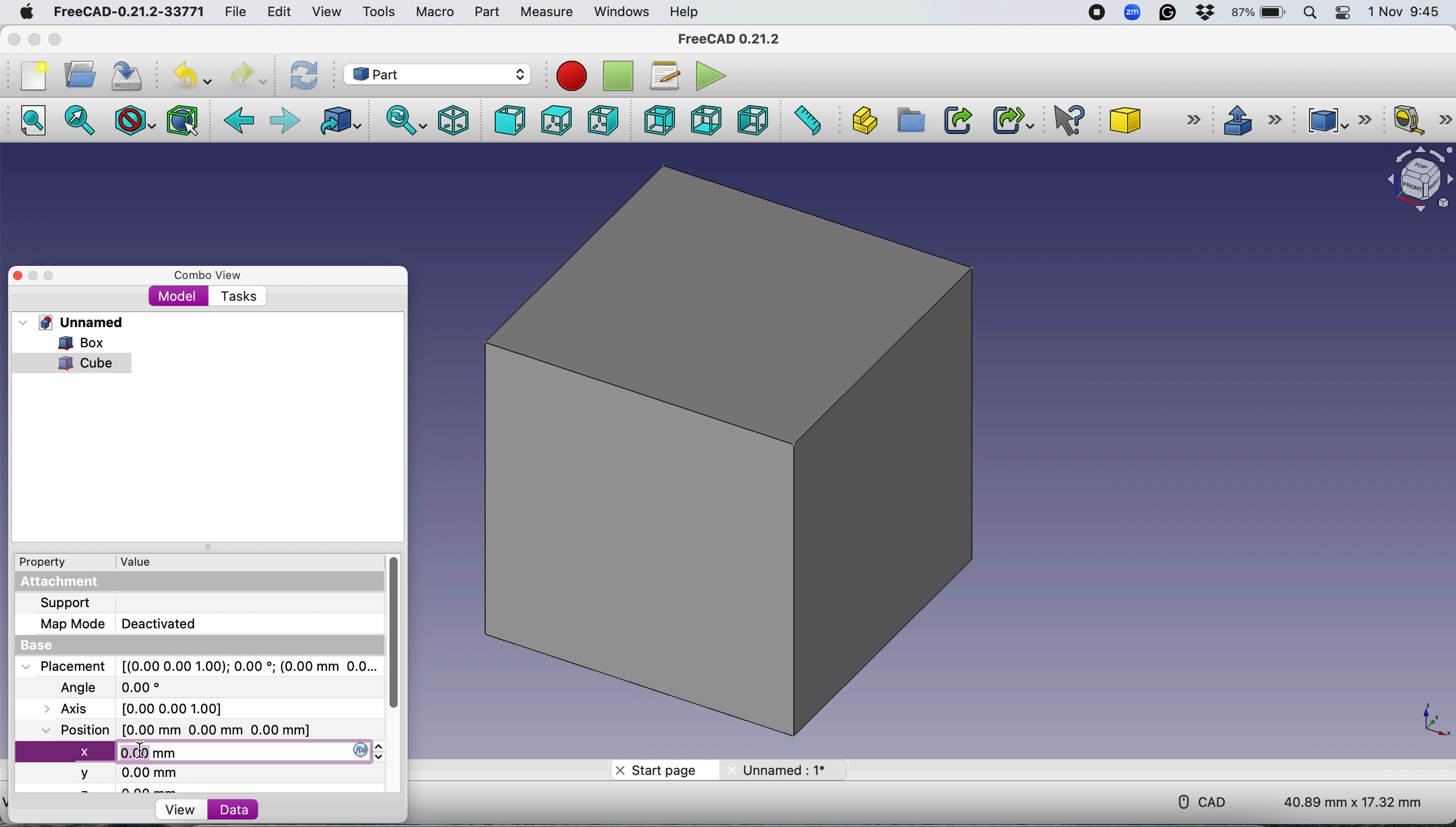  What do you see at coordinates (861, 120) in the screenshot?
I see `Create part` at bounding box center [861, 120].